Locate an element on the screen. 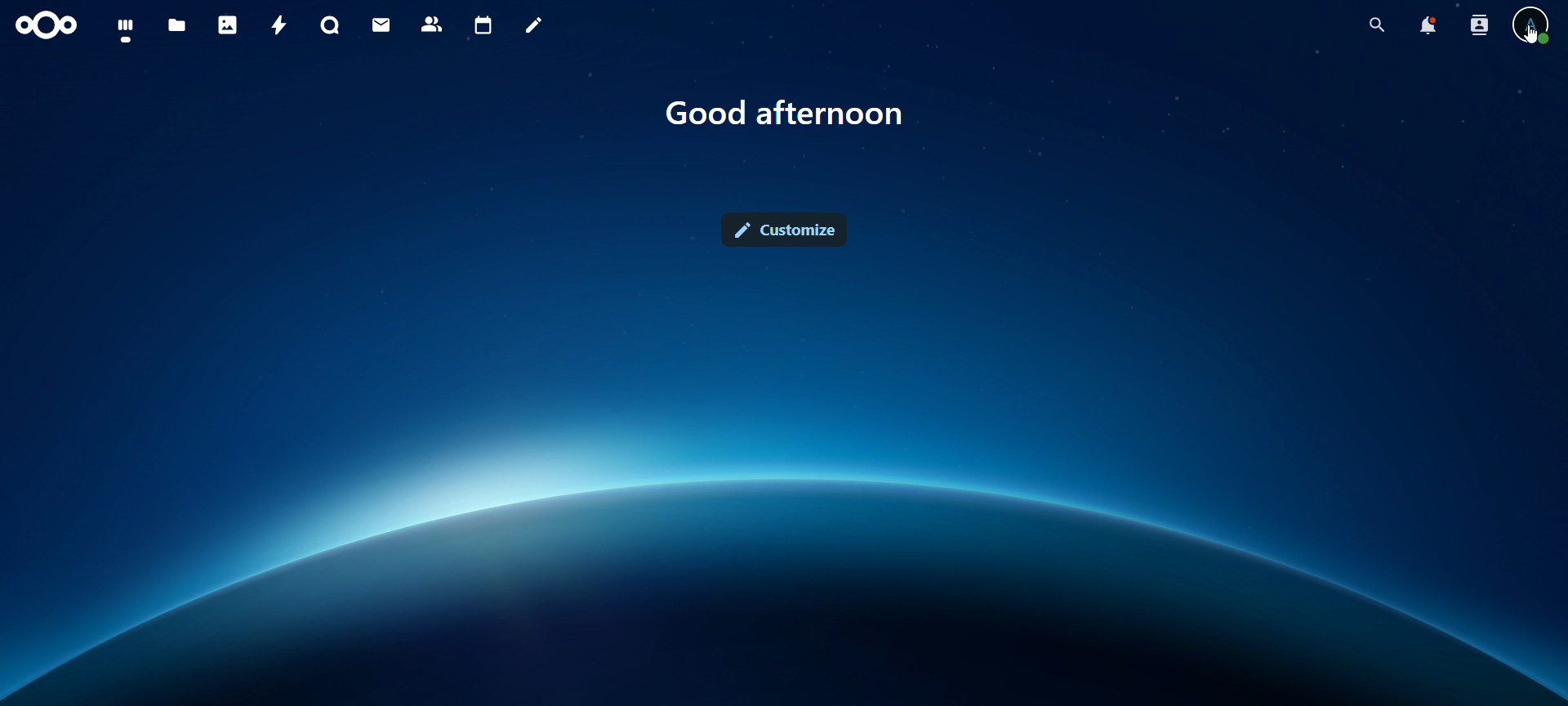 The image size is (1568, 706). view profile is located at coordinates (1530, 29).